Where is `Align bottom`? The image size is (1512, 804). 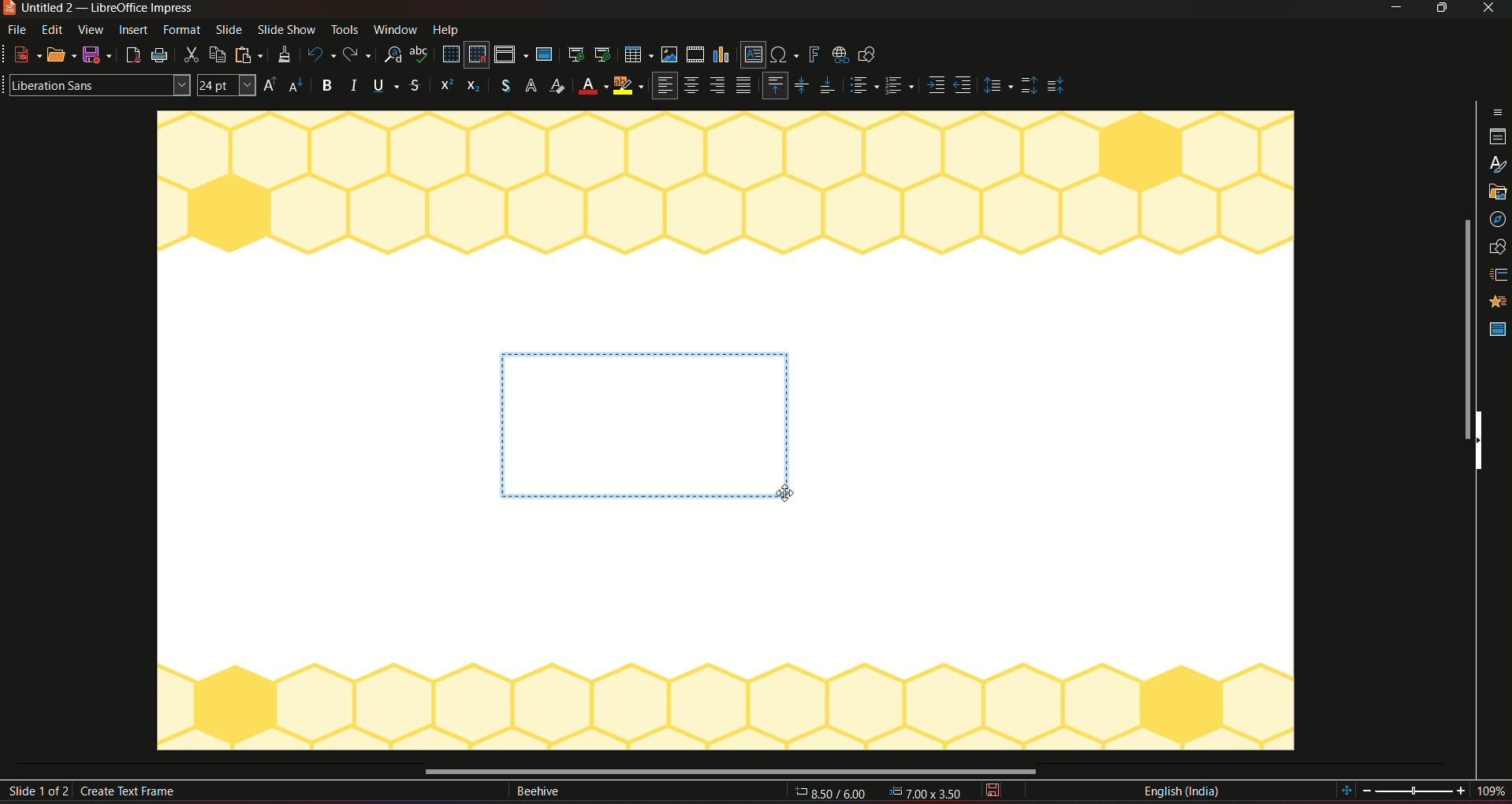 Align bottom is located at coordinates (828, 86).